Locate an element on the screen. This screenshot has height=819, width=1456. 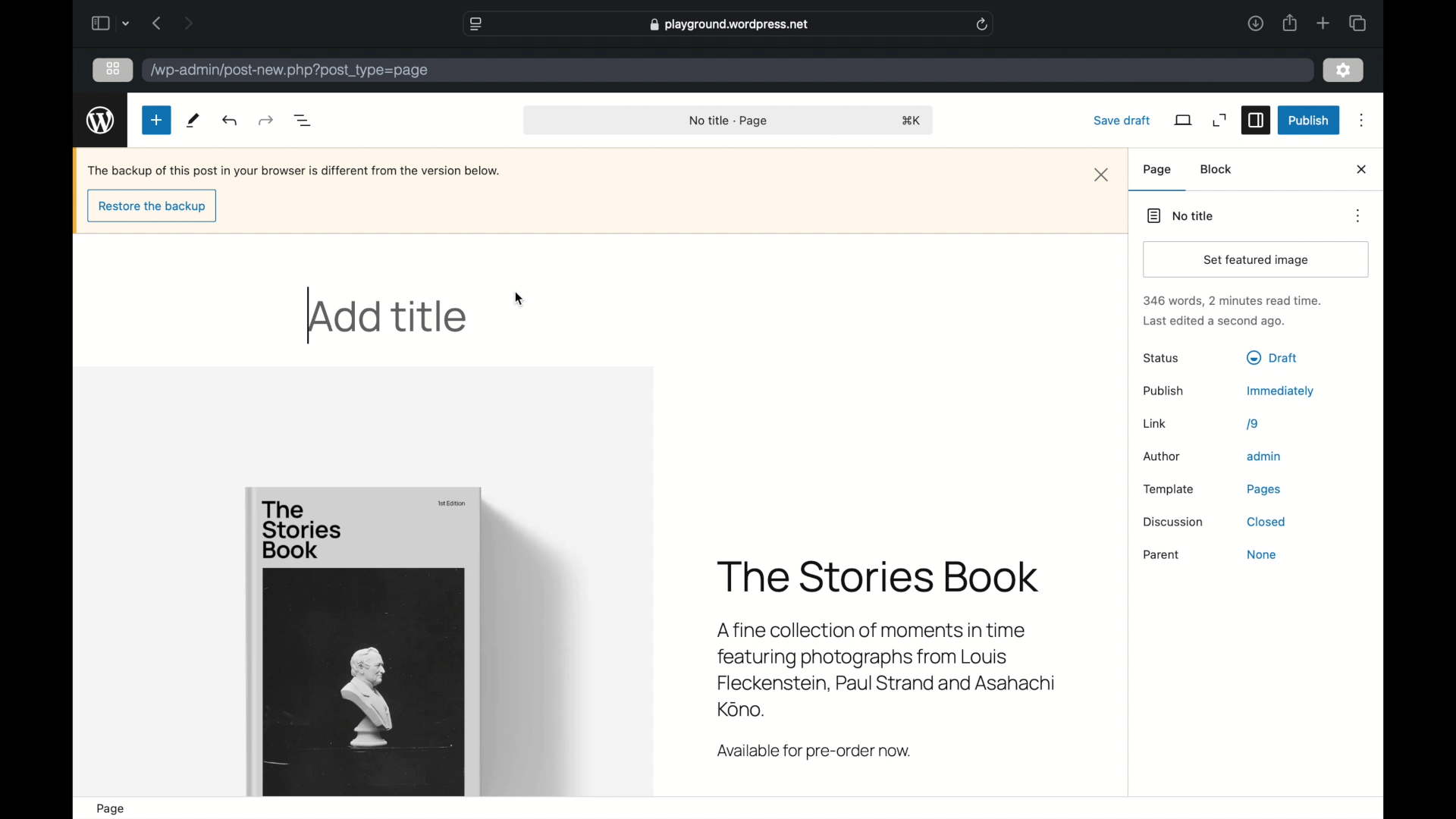
/9 is located at coordinates (1253, 424).